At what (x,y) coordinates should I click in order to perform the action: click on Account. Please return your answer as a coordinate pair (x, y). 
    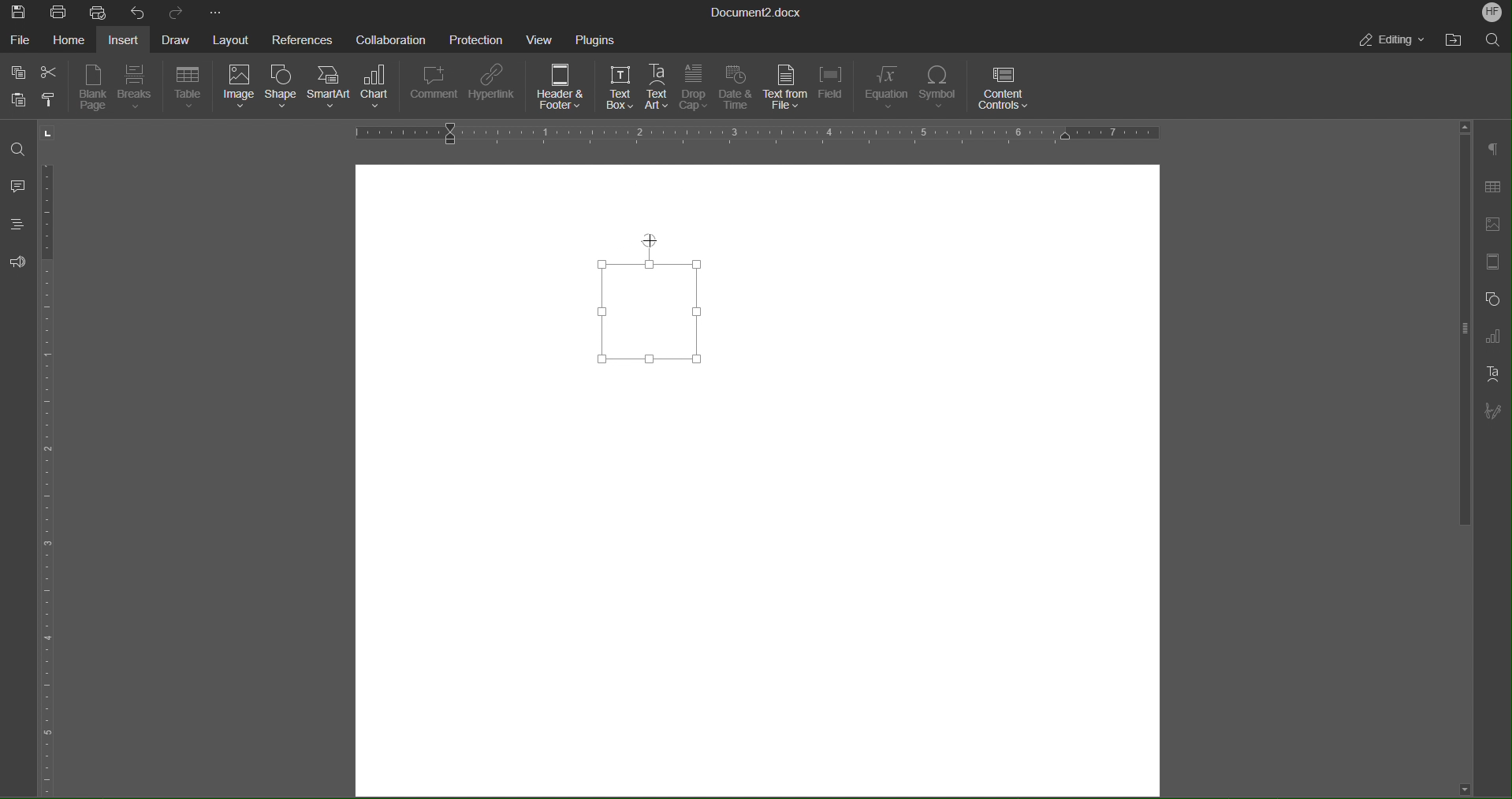
    Looking at the image, I should click on (1492, 13).